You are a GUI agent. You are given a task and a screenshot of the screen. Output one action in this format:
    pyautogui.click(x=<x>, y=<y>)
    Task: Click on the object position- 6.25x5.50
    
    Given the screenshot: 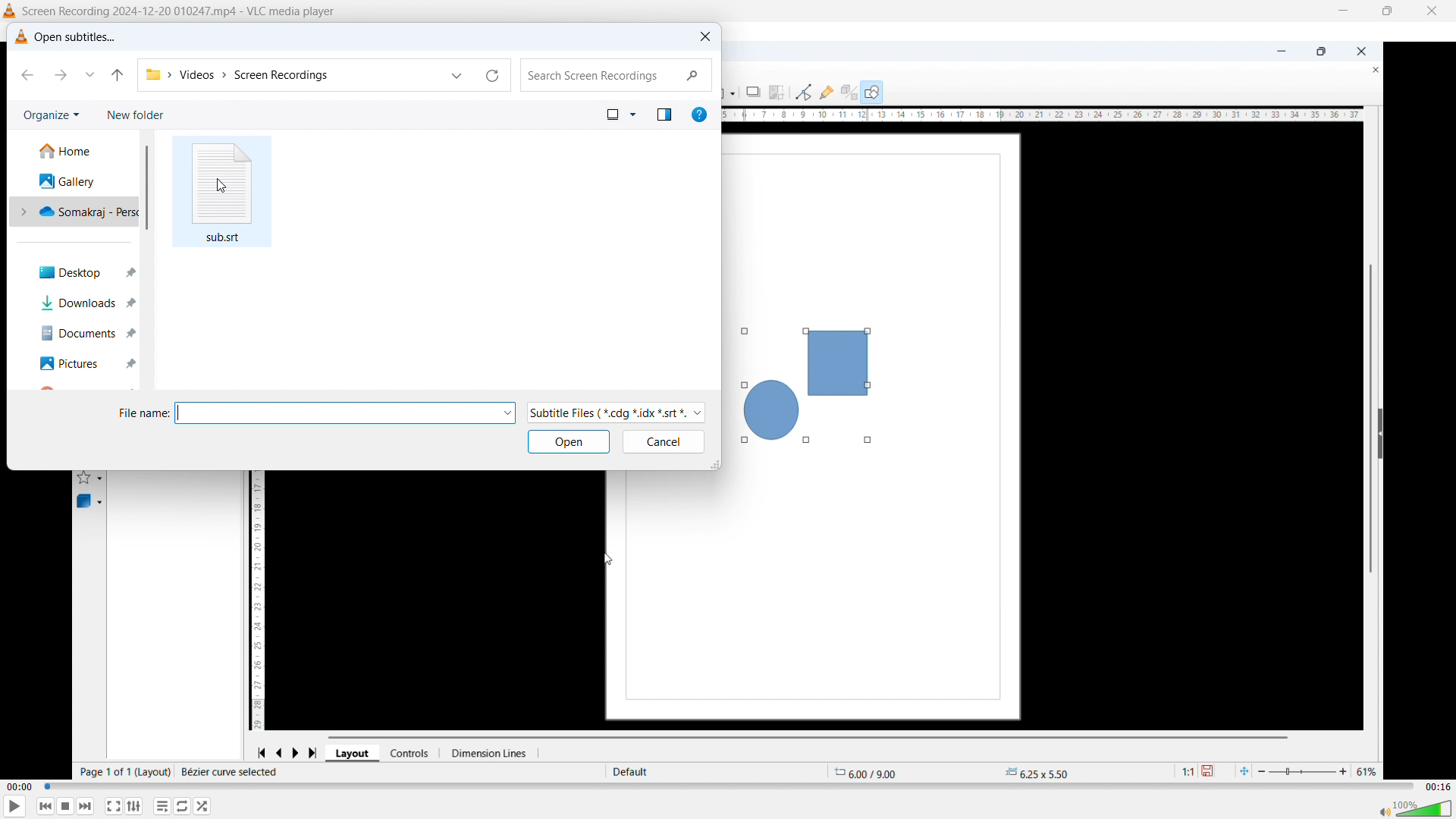 What is the action you would take?
    pyautogui.click(x=1036, y=773)
    